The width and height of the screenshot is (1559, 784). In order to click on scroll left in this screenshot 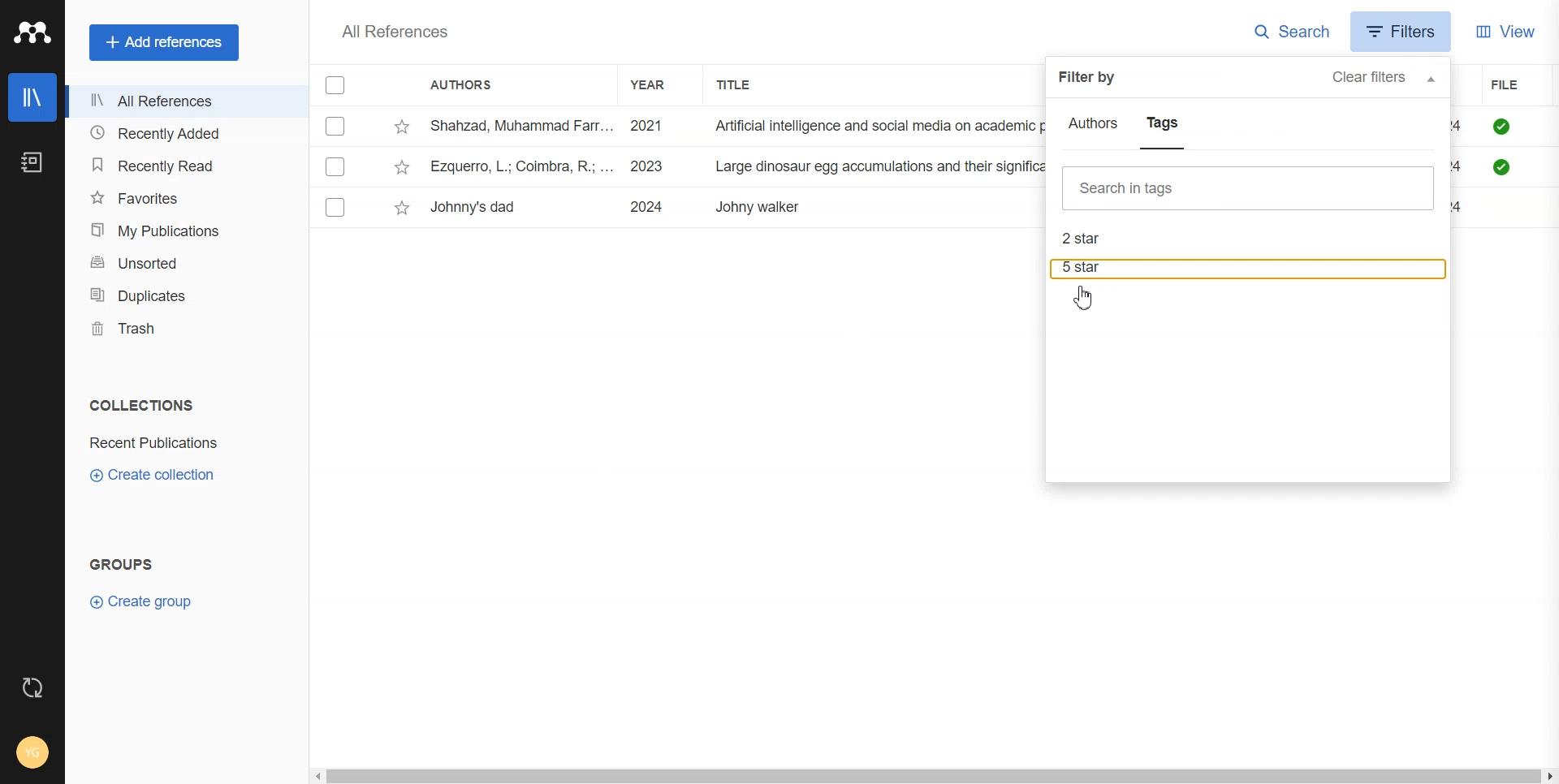, I will do `click(317, 777)`.